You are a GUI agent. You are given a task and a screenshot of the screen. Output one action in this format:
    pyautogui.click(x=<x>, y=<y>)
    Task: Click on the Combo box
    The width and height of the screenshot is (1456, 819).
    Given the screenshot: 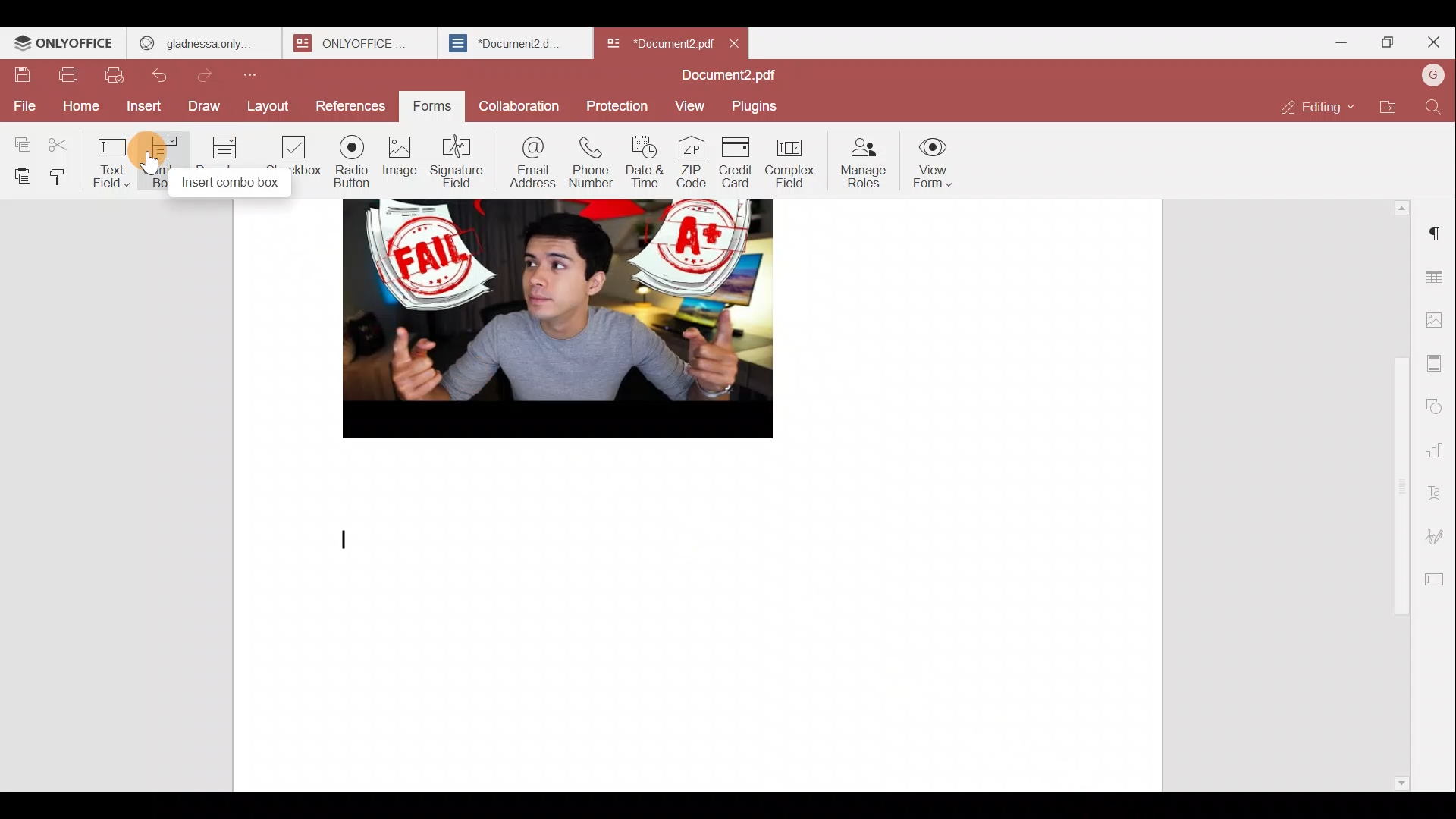 What is the action you would take?
    pyautogui.click(x=168, y=147)
    